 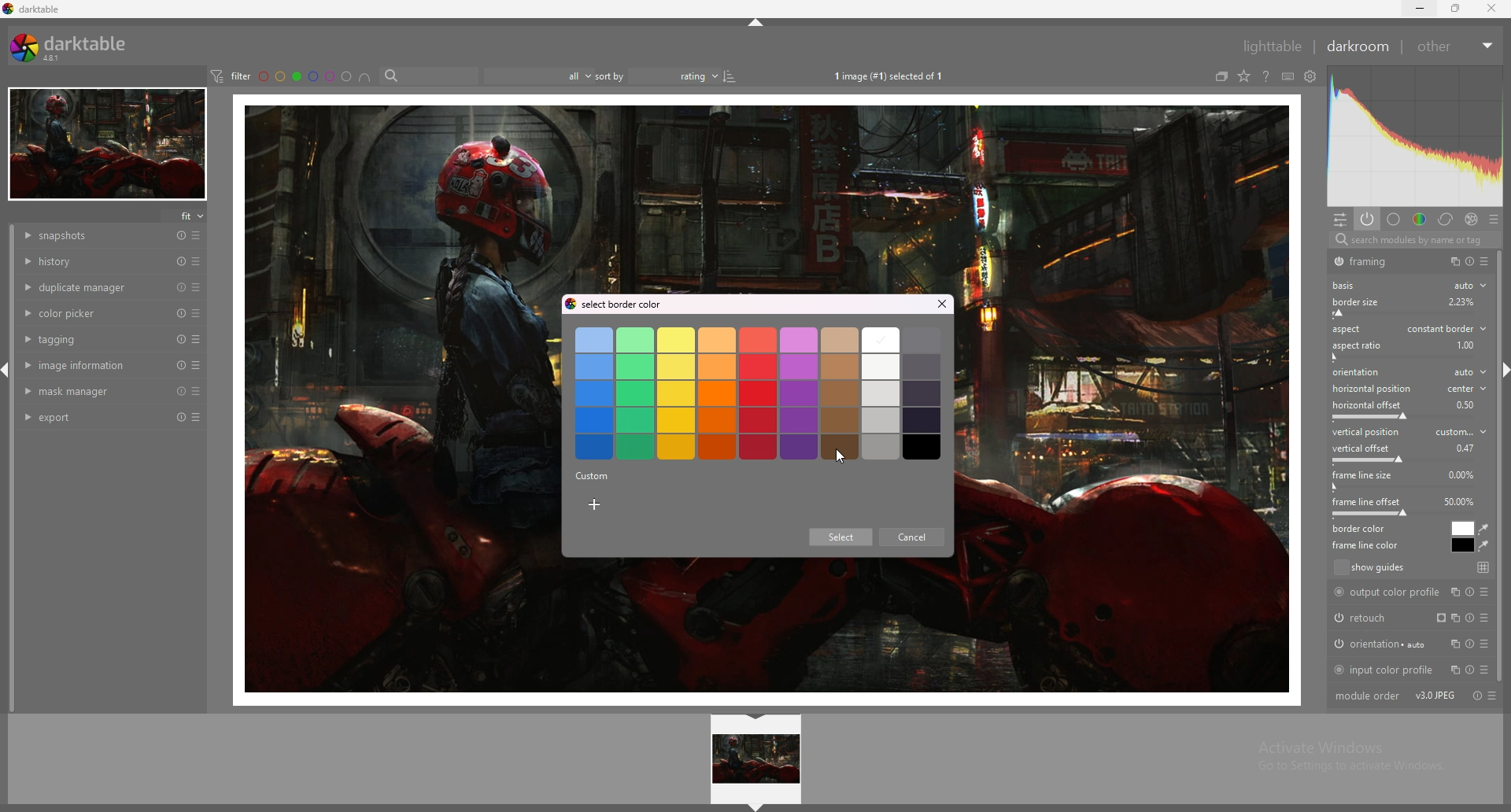 What do you see at coordinates (181, 339) in the screenshot?
I see `reset` at bounding box center [181, 339].